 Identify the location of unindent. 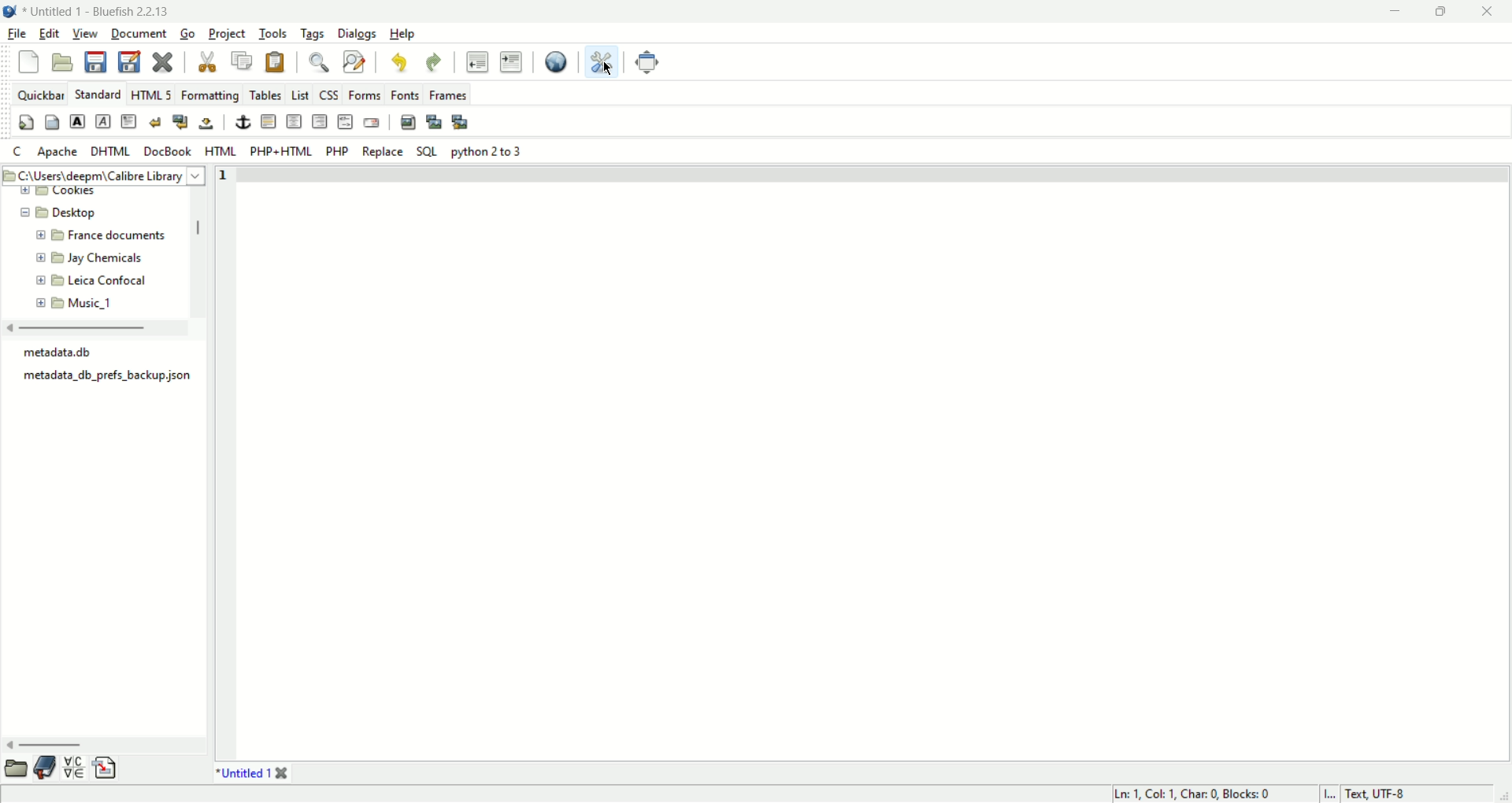
(476, 61).